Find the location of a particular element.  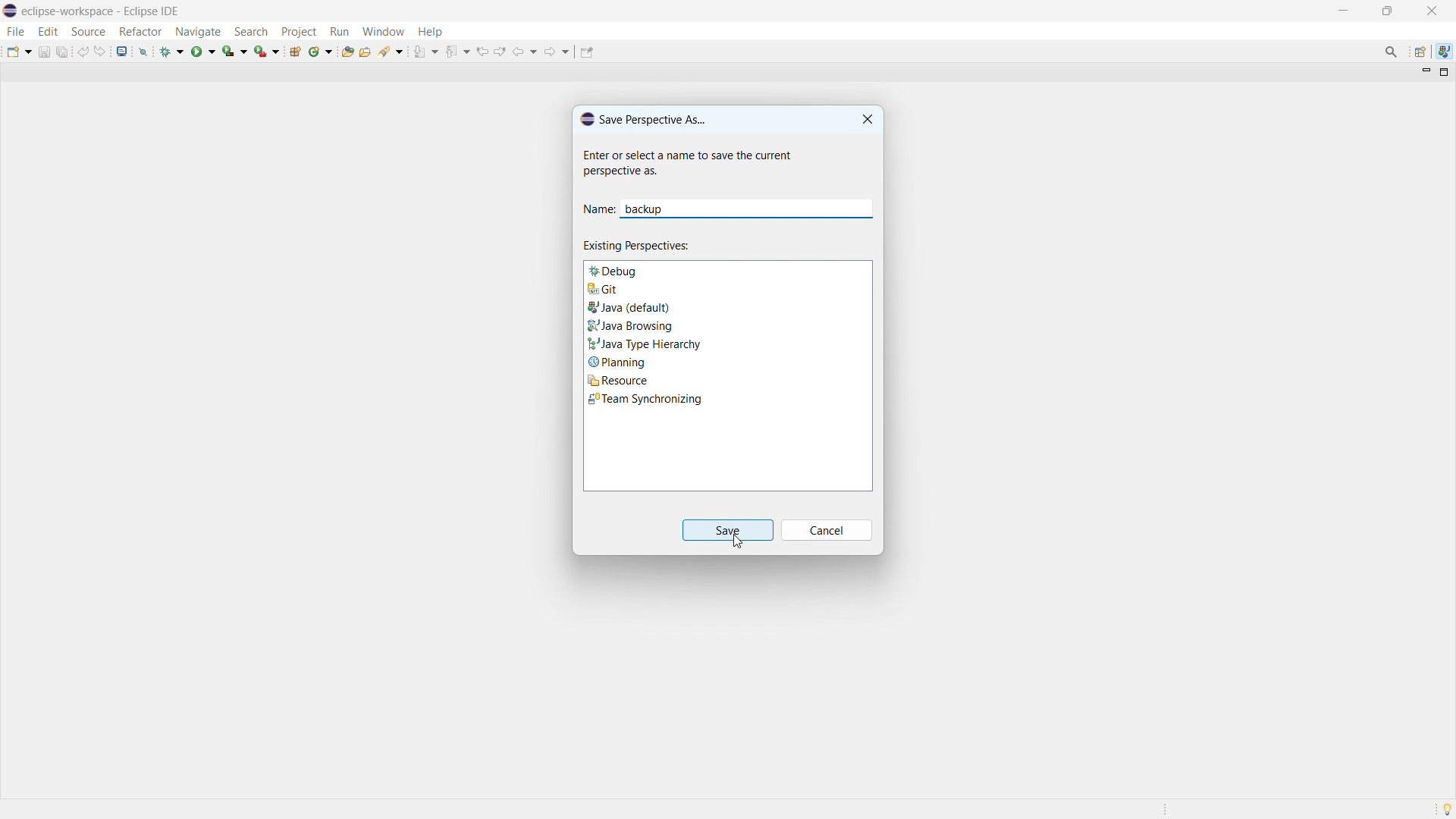

search is located at coordinates (391, 51).